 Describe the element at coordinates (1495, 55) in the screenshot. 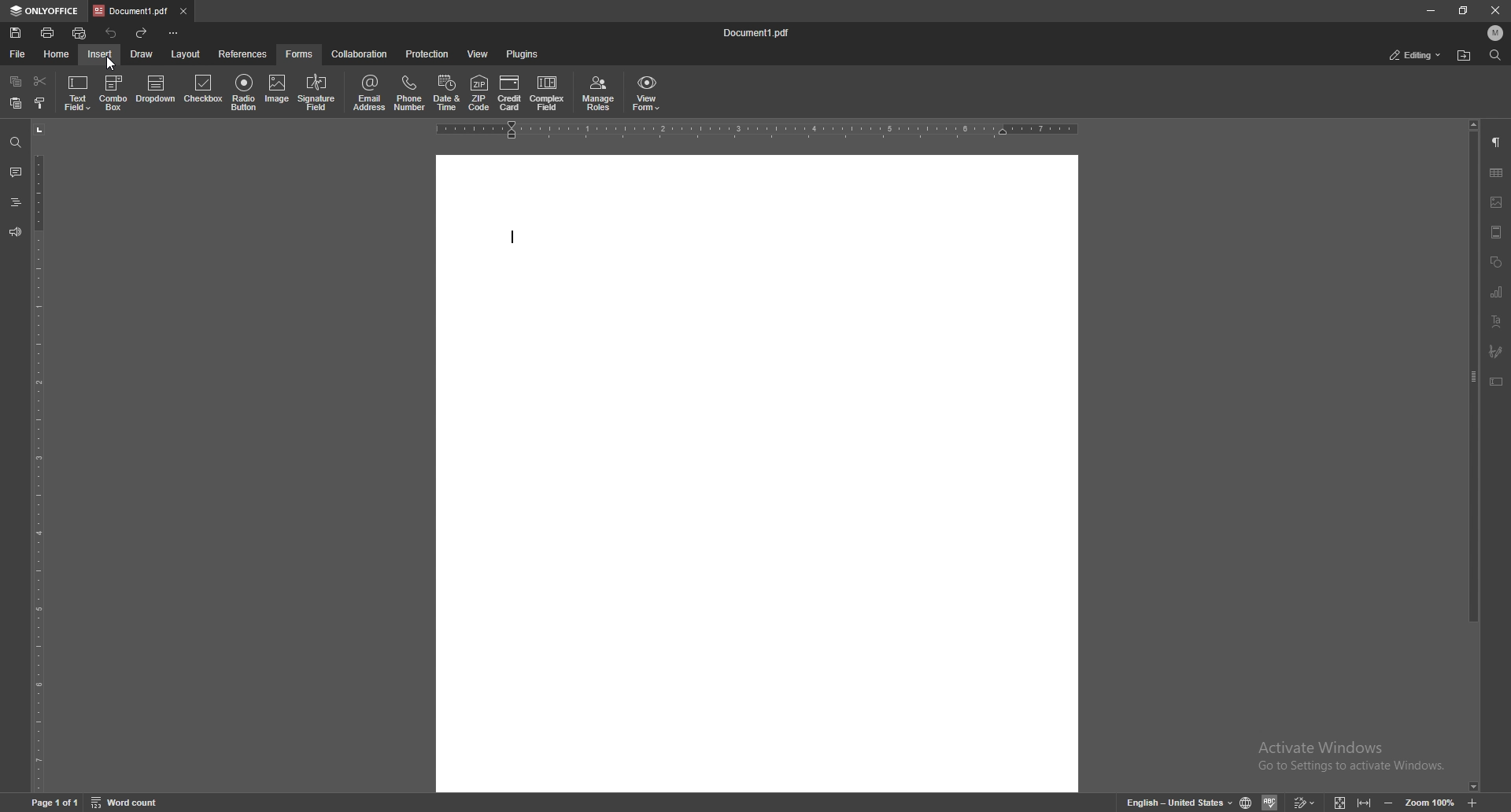

I see `find` at that location.